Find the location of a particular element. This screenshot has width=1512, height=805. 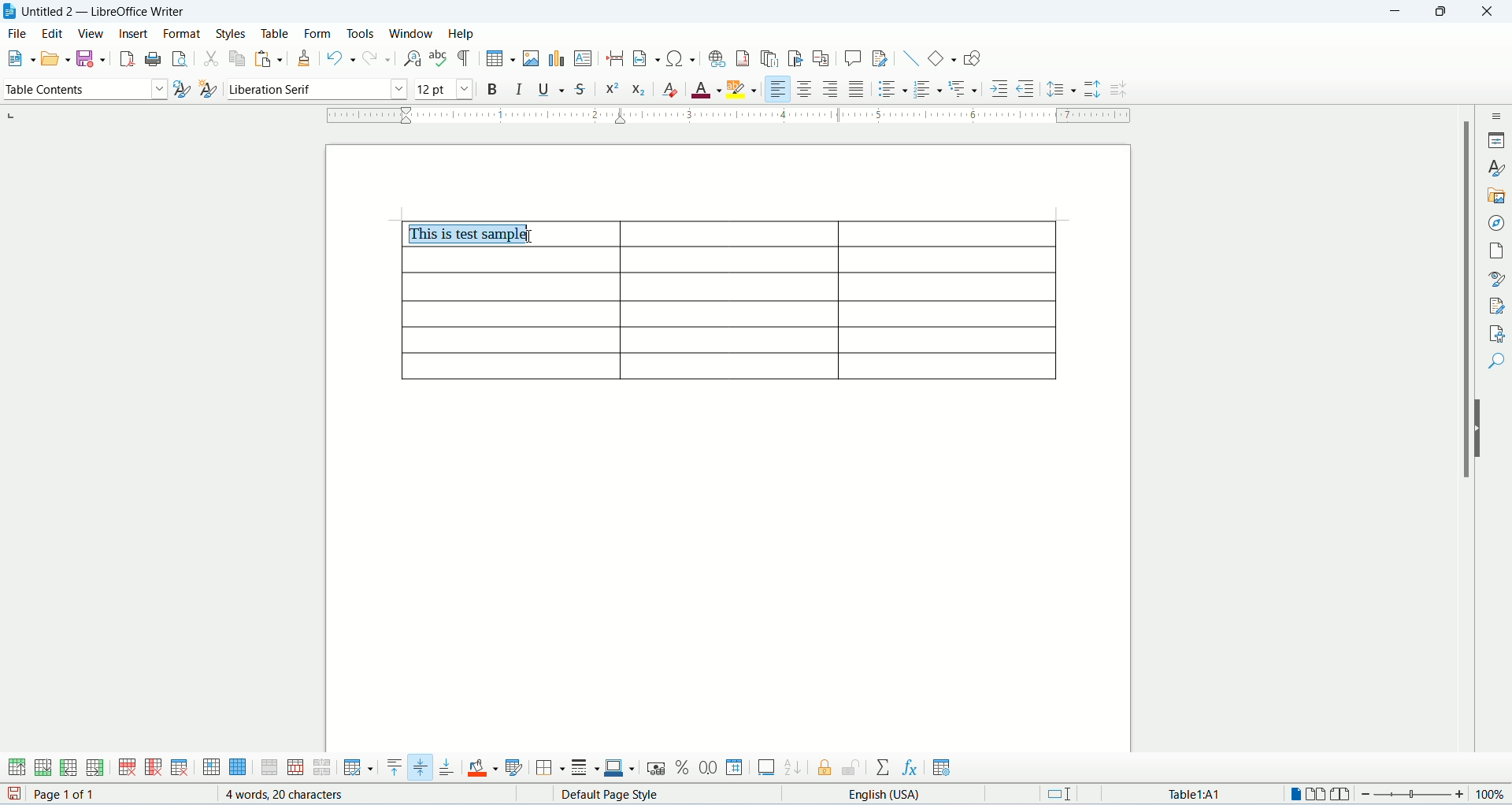

increase paragraph spacing is located at coordinates (1094, 90).